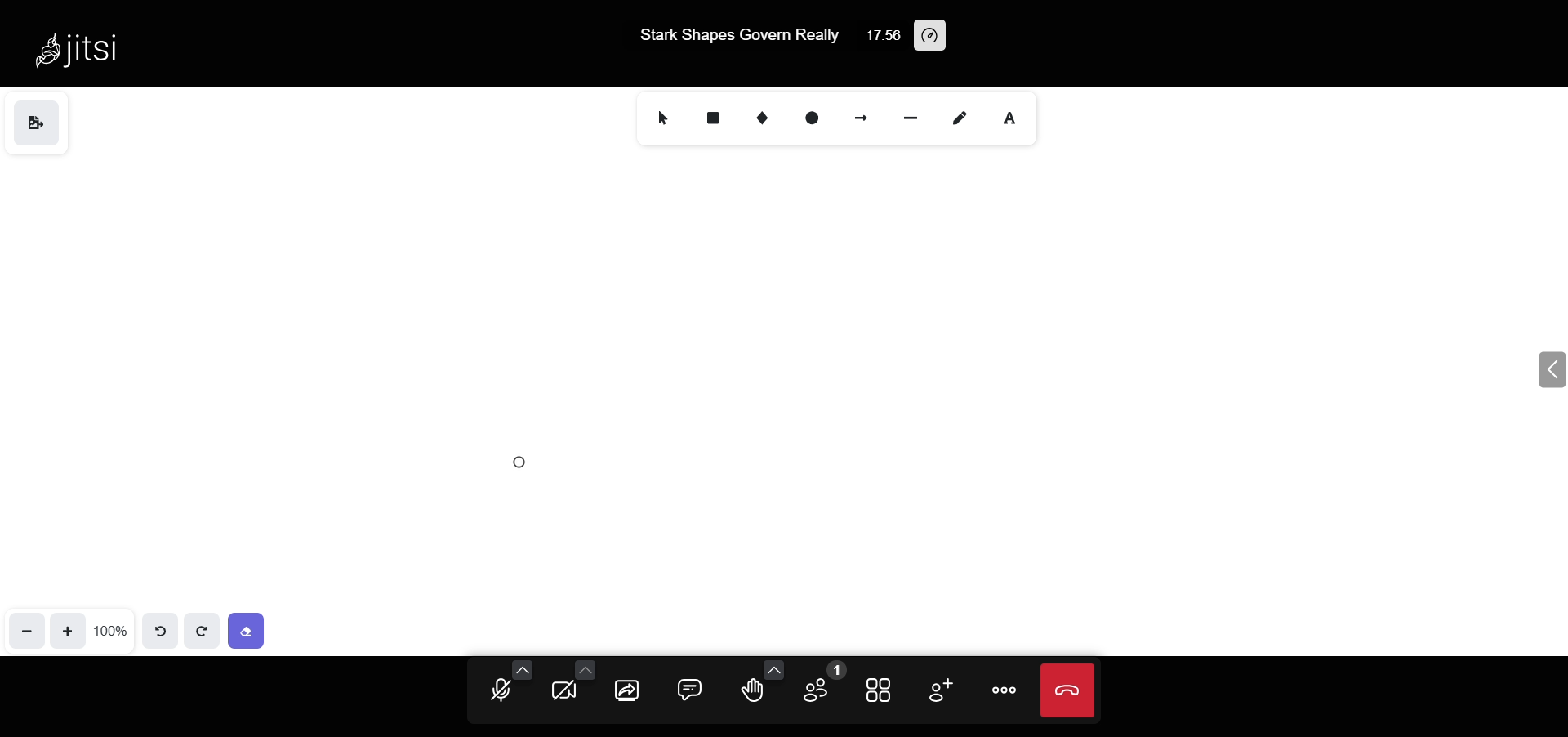 This screenshot has height=737, width=1568. Describe the element at coordinates (908, 117) in the screenshot. I see `line` at that location.